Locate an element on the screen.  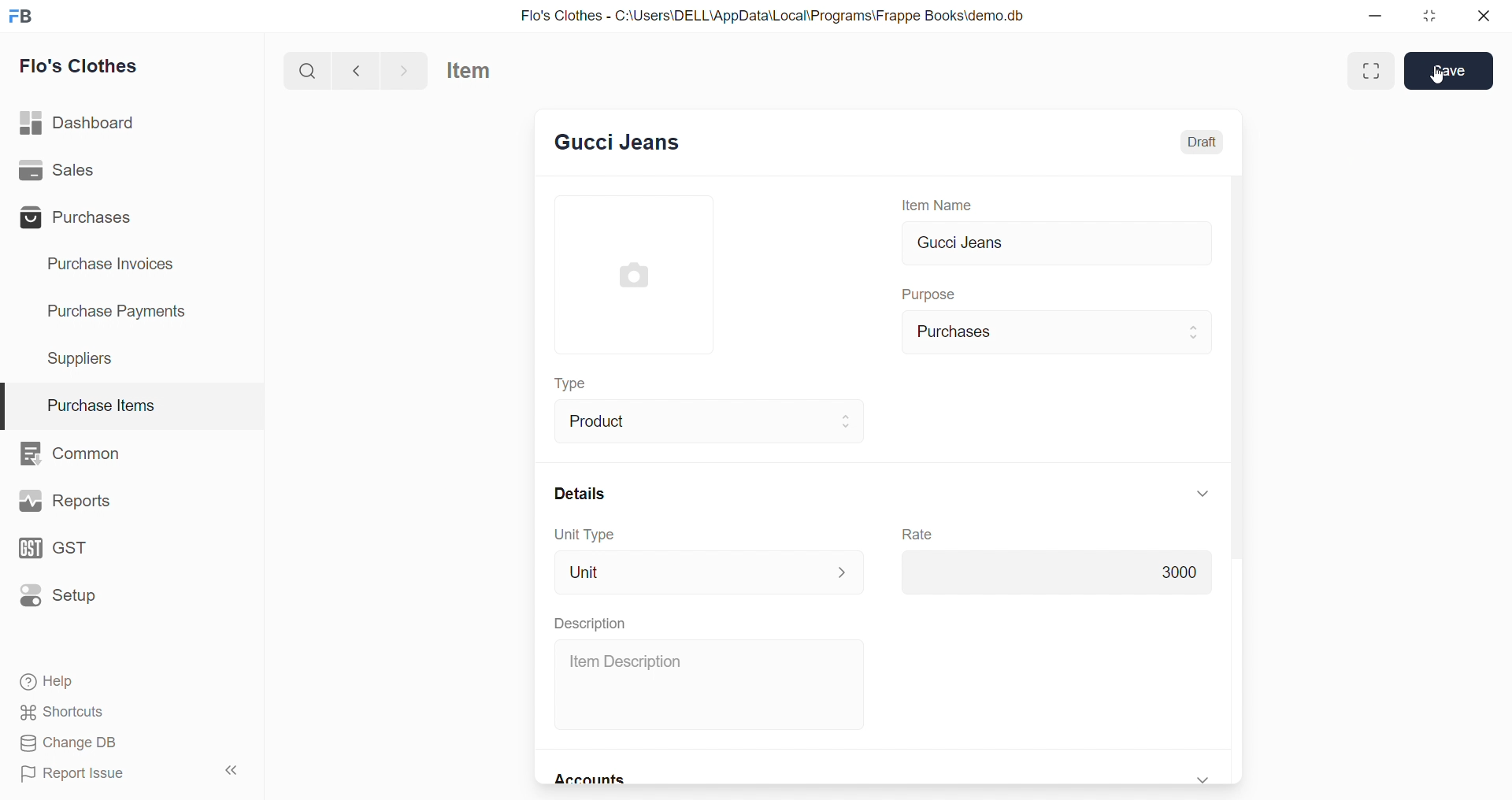
resize is located at coordinates (1430, 16).